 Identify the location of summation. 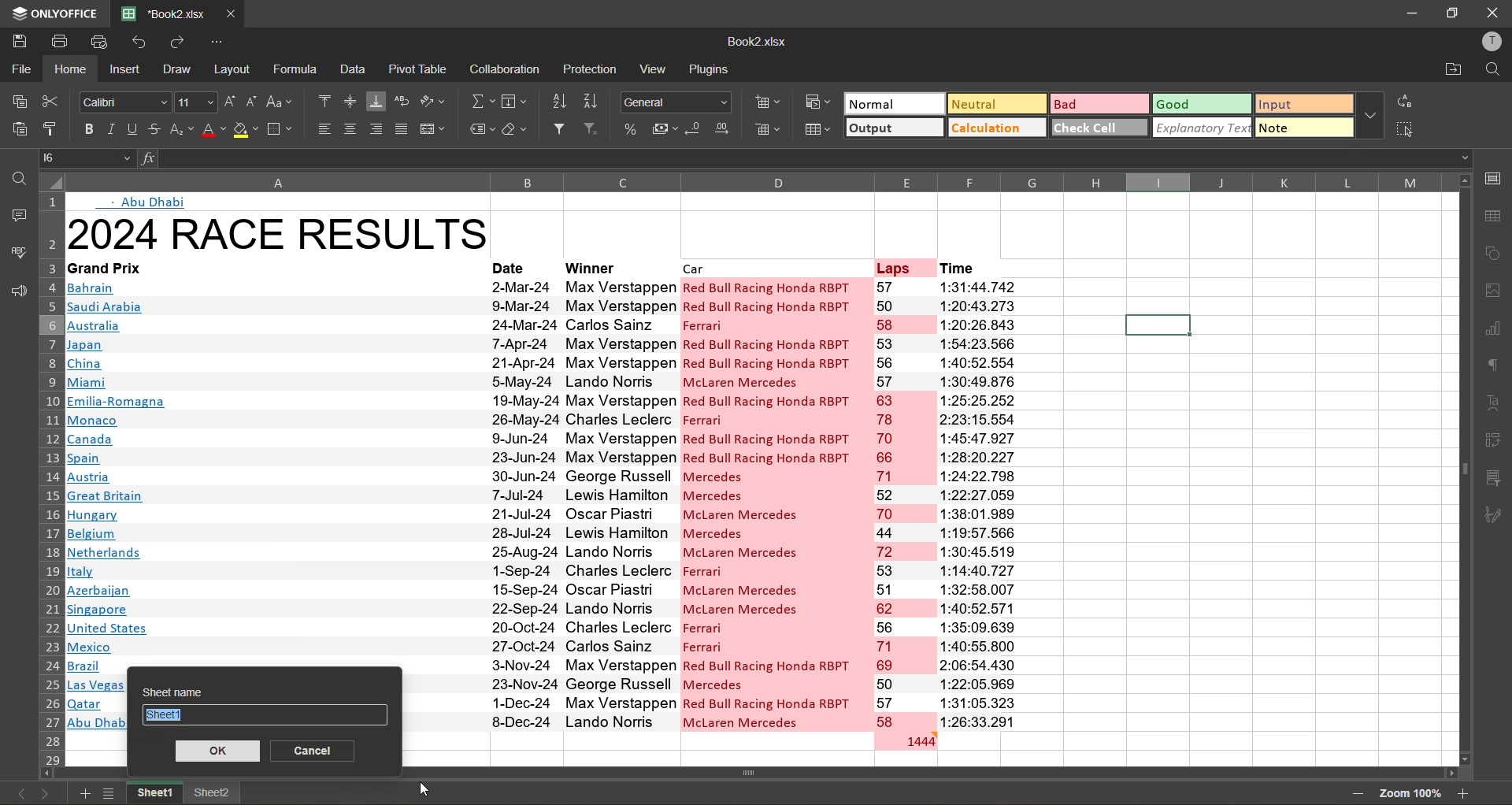
(484, 100).